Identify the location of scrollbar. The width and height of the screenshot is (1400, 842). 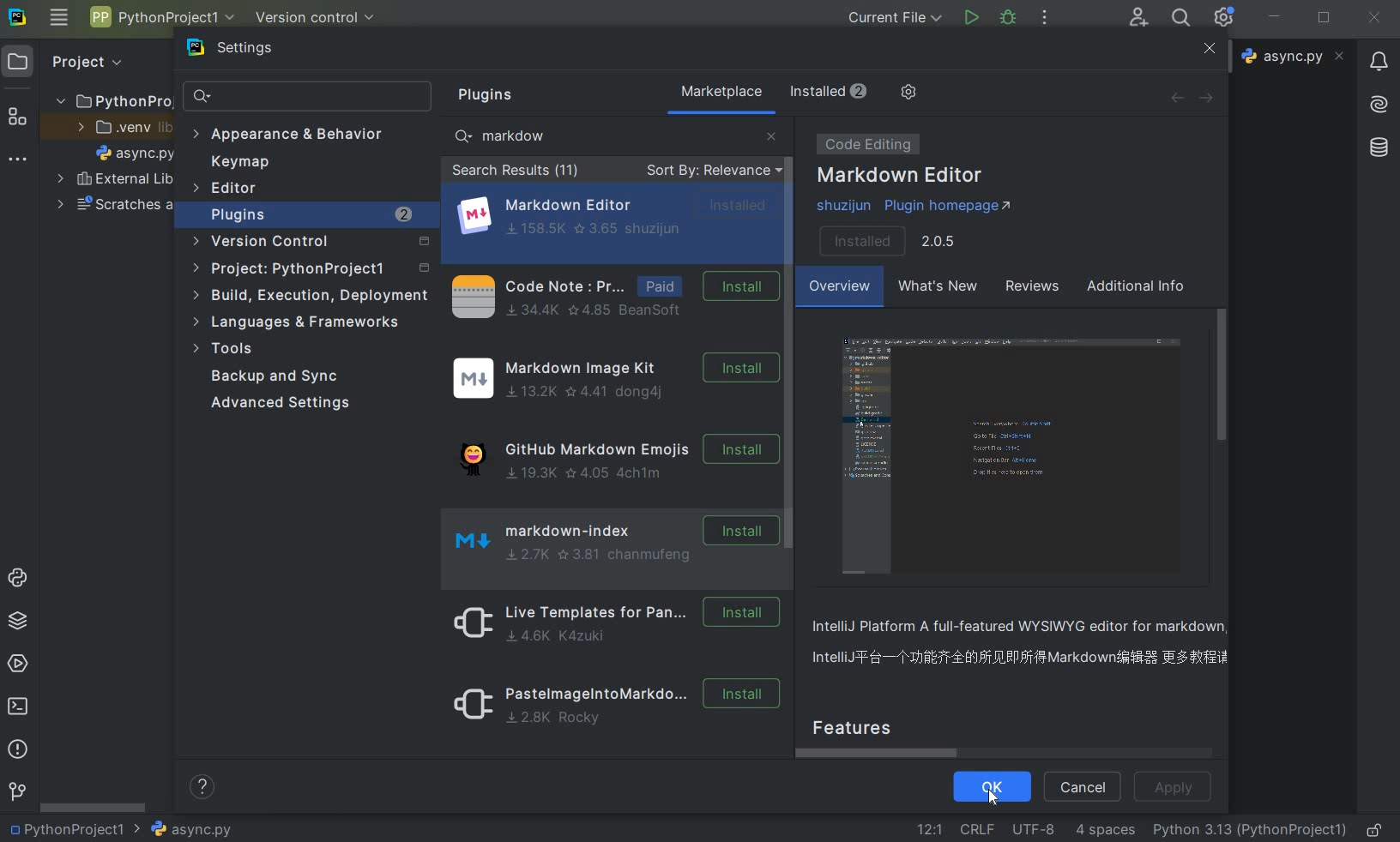
(884, 753).